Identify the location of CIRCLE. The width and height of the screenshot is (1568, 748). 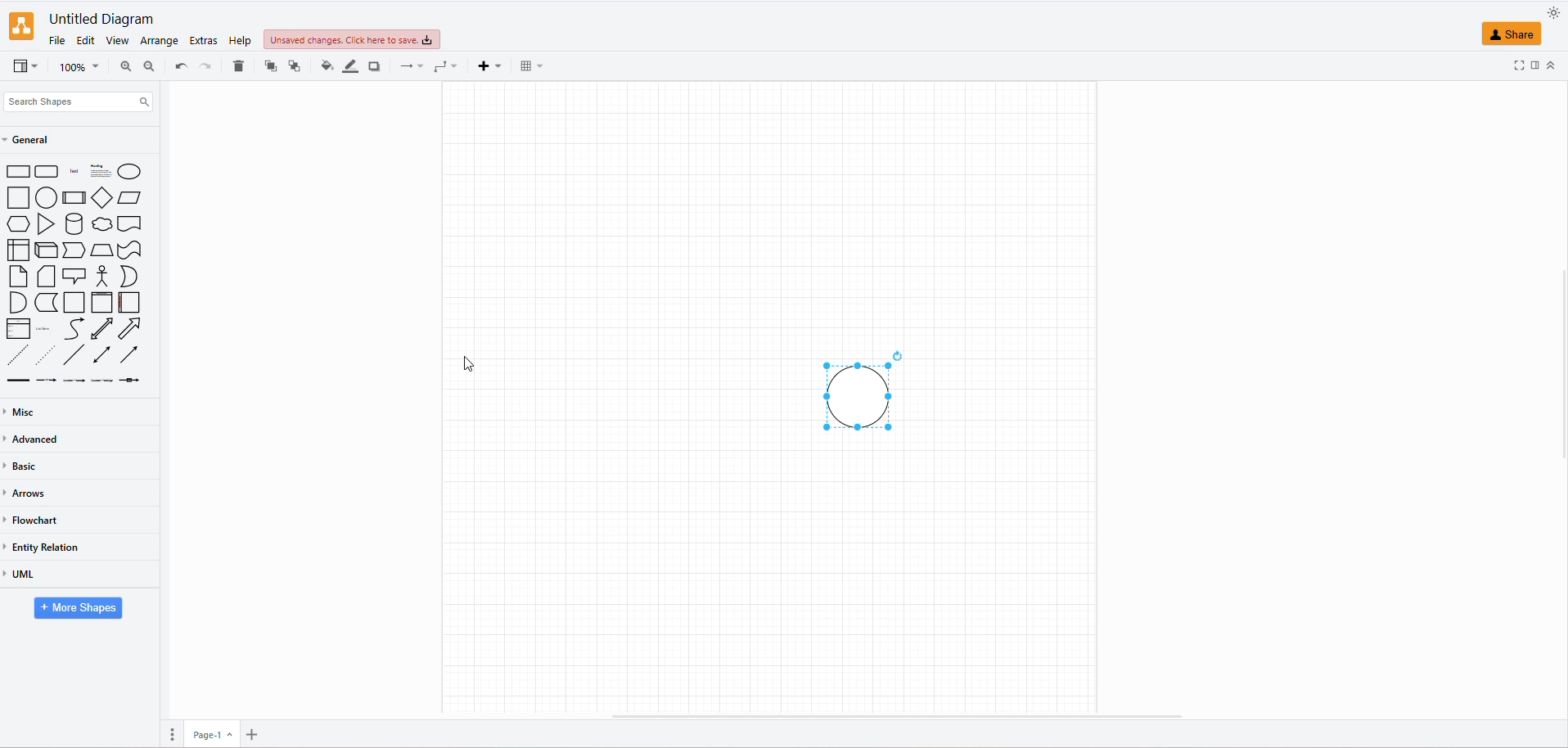
(44, 198).